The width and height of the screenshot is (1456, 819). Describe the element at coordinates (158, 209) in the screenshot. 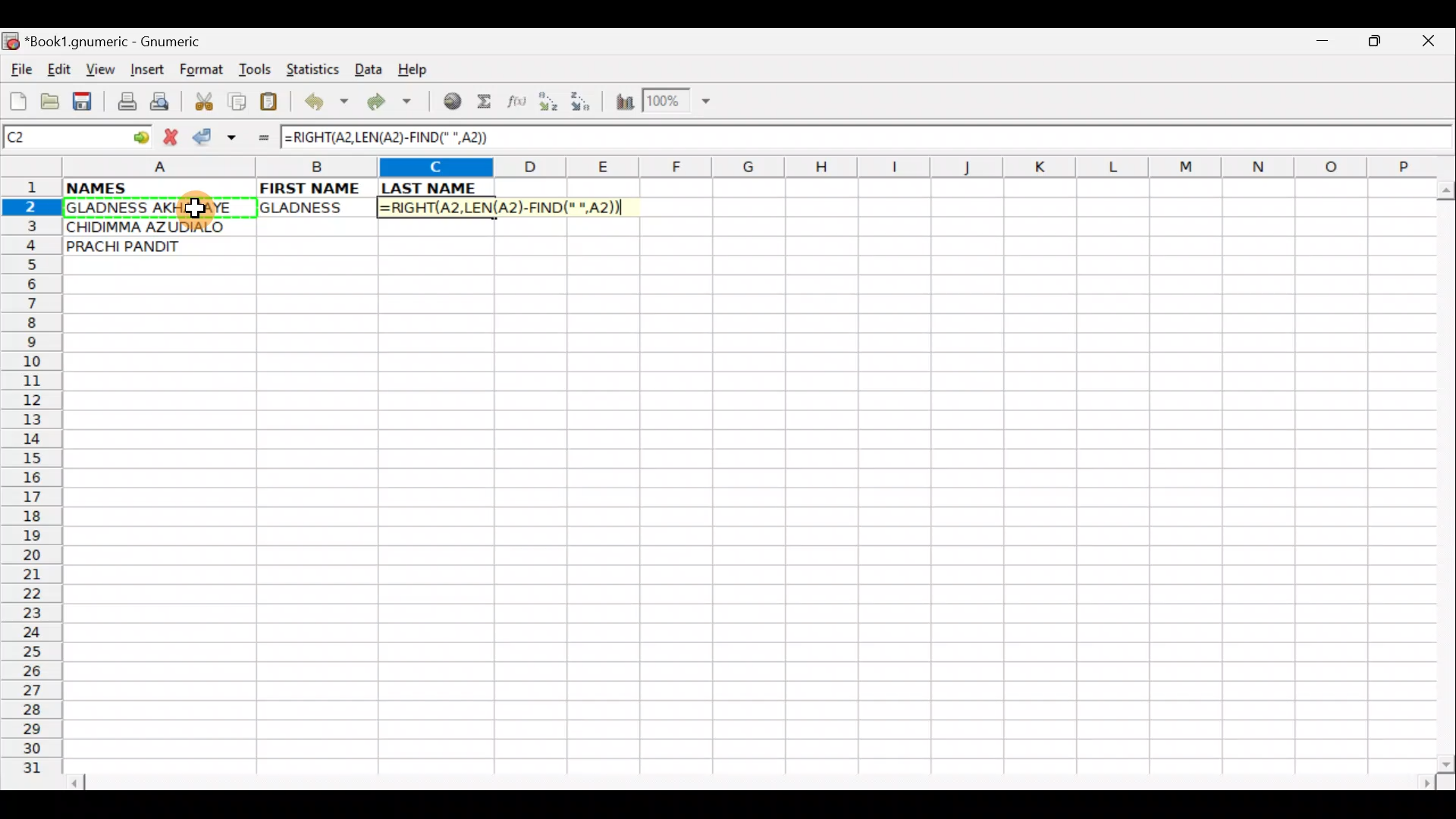

I see `GLADNESS AKHARAYE` at that location.